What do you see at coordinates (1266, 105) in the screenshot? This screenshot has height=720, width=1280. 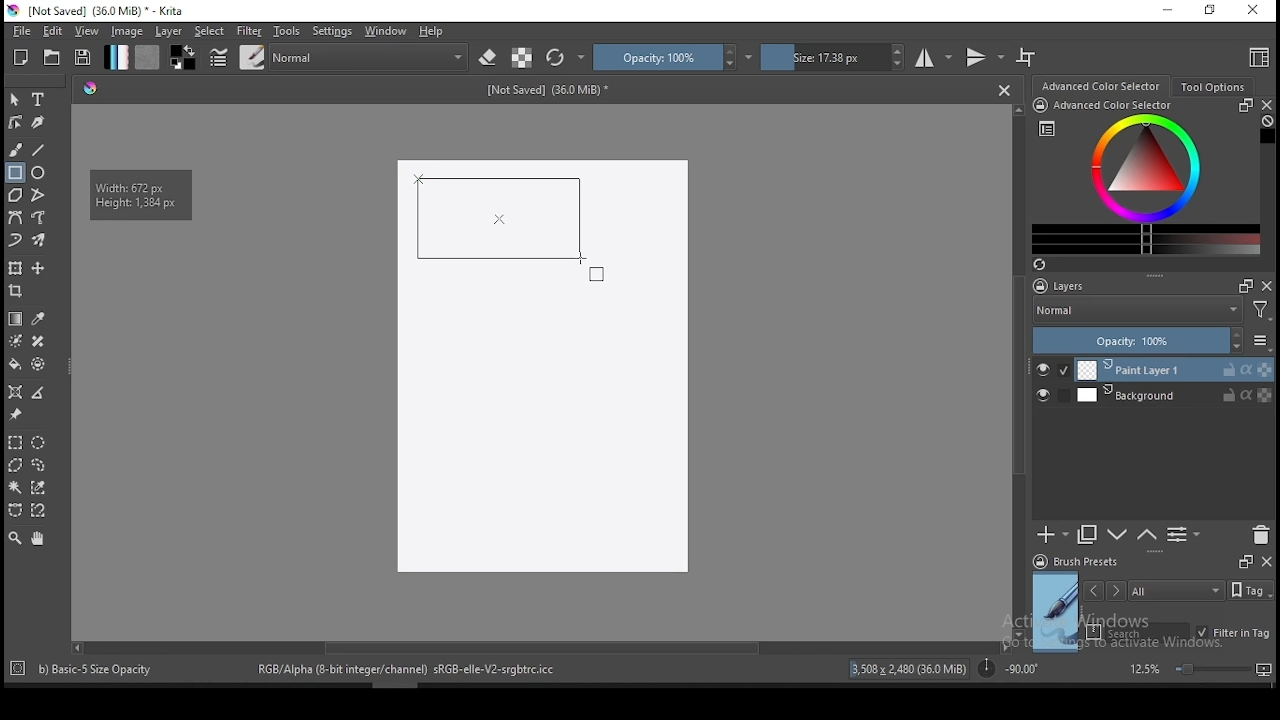 I see `close docker` at bounding box center [1266, 105].